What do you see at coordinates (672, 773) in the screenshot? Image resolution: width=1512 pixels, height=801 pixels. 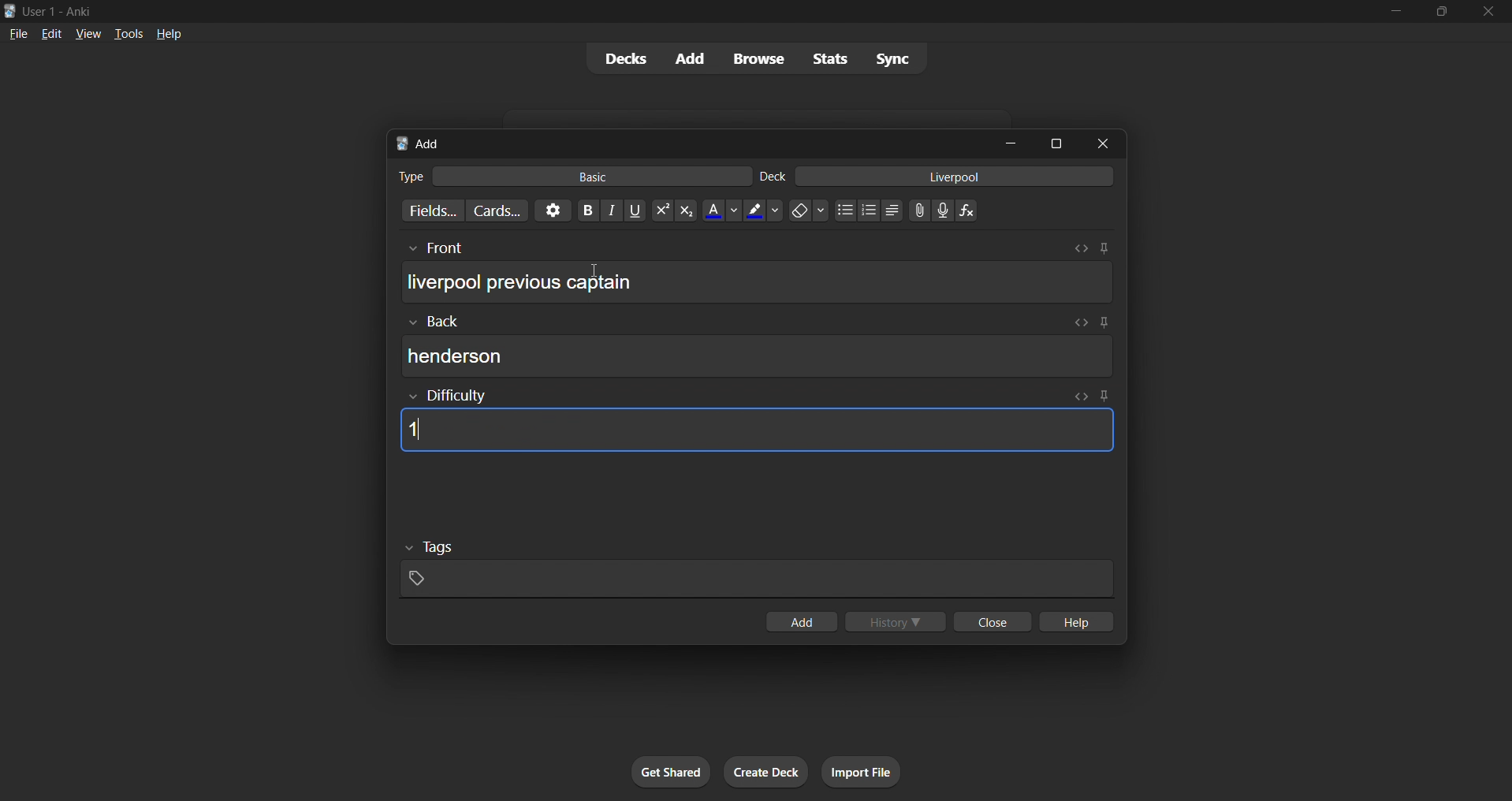 I see `get shared` at bounding box center [672, 773].